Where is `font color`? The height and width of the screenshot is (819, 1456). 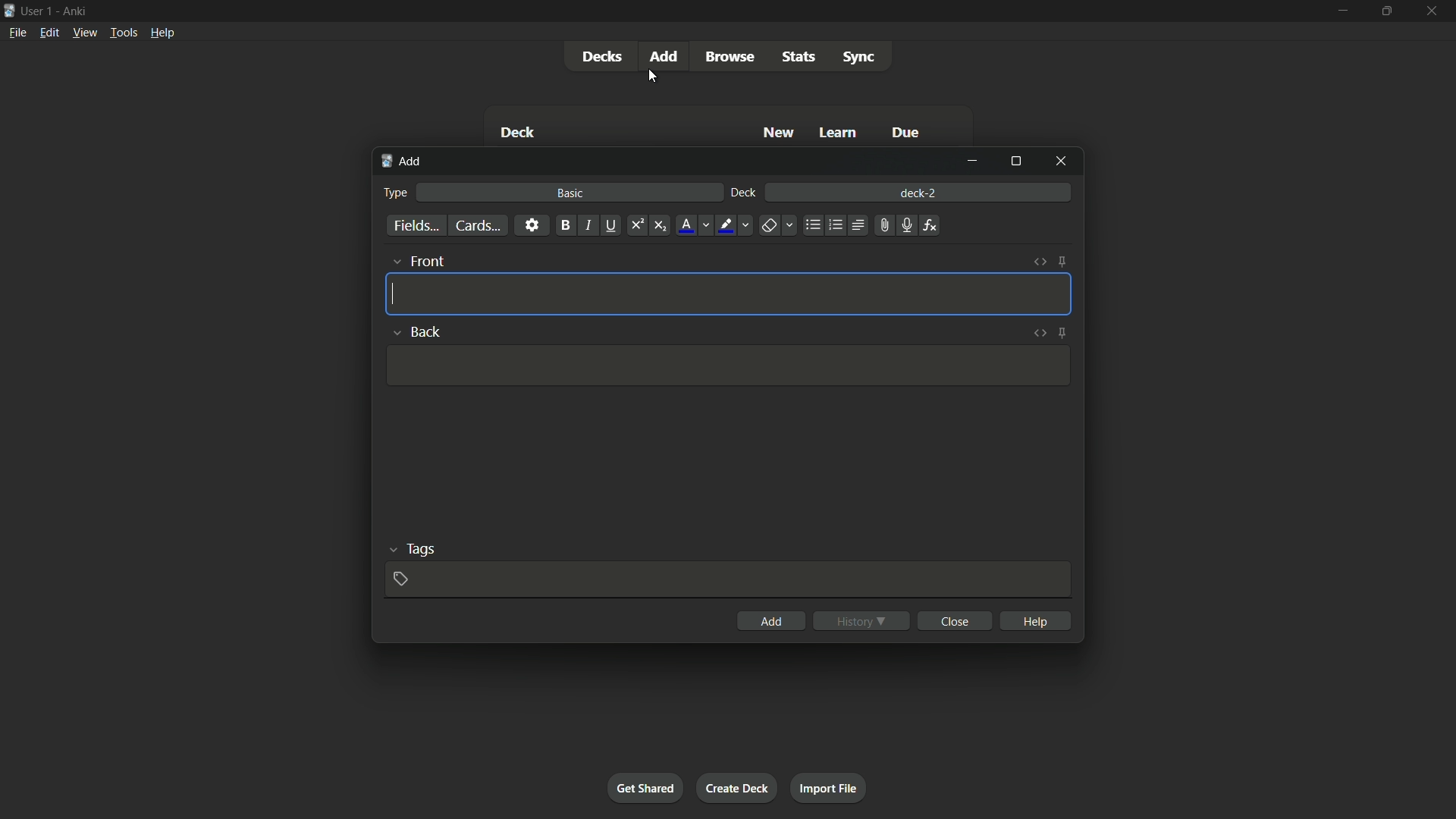
font color is located at coordinates (692, 224).